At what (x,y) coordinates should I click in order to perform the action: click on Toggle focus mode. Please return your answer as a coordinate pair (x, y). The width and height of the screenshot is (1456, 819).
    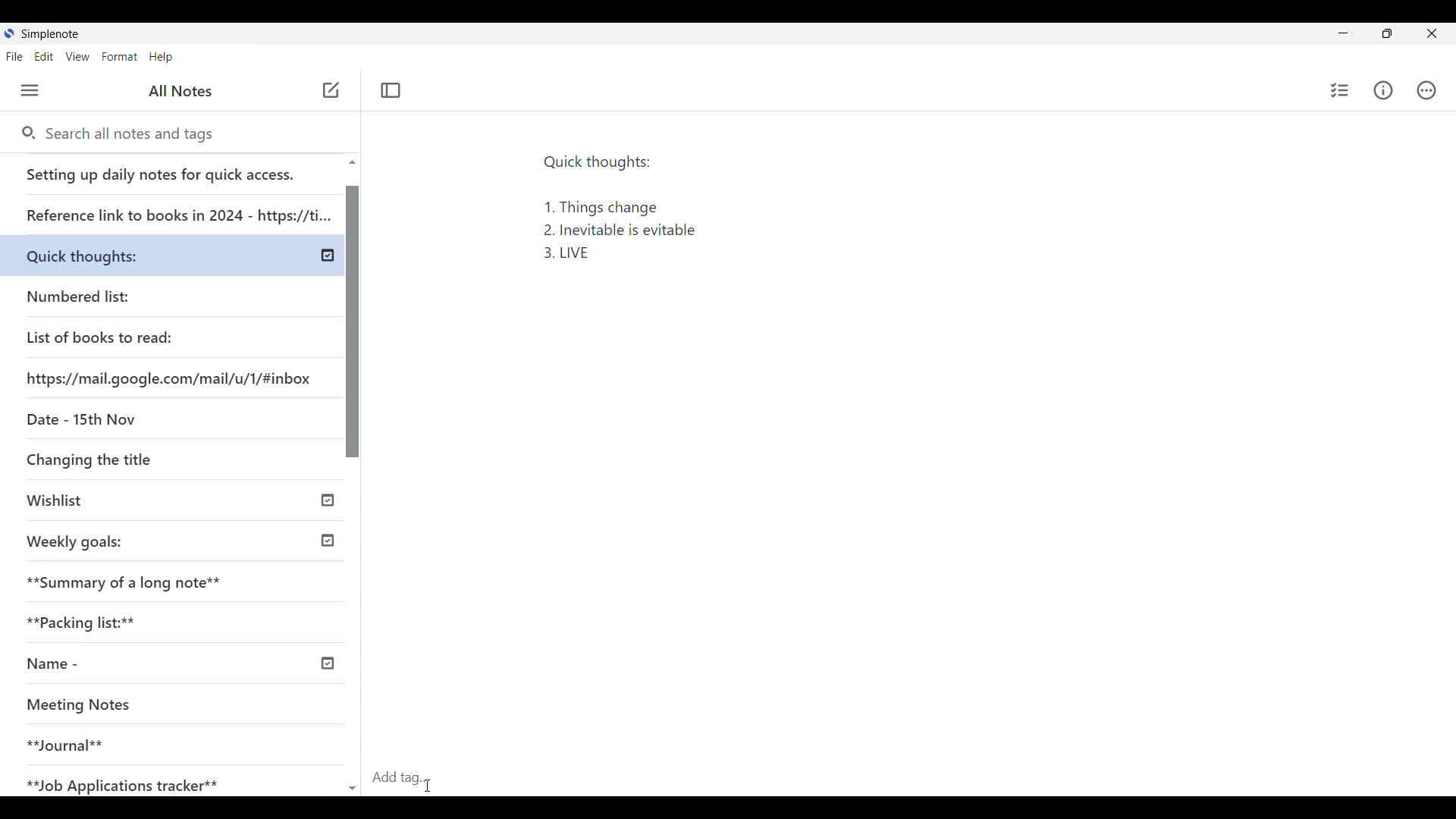
    Looking at the image, I should click on (391, 91).